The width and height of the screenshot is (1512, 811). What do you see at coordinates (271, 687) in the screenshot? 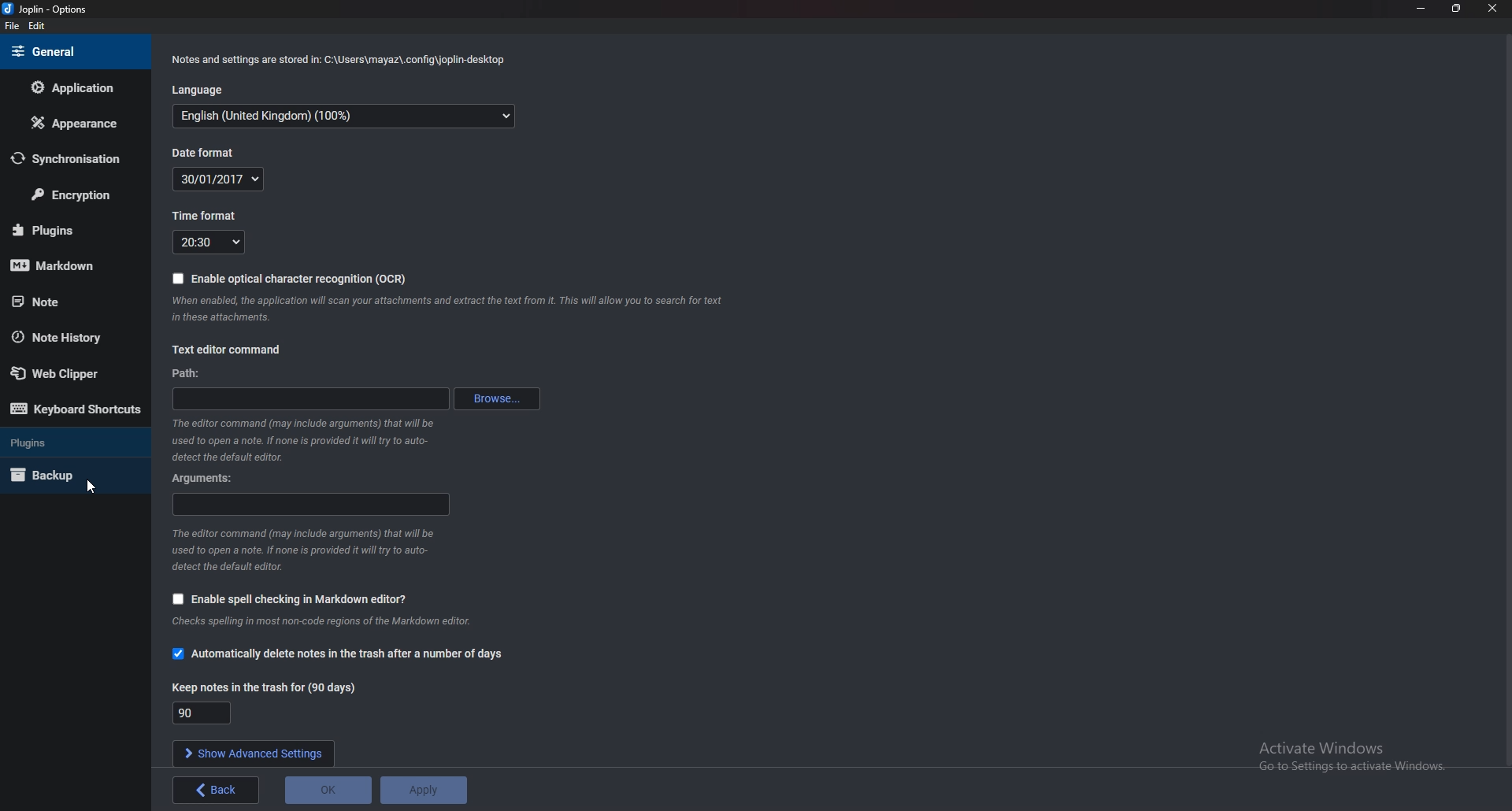
I see `Keep notes in the trash for` at bounding box center [271, 687].